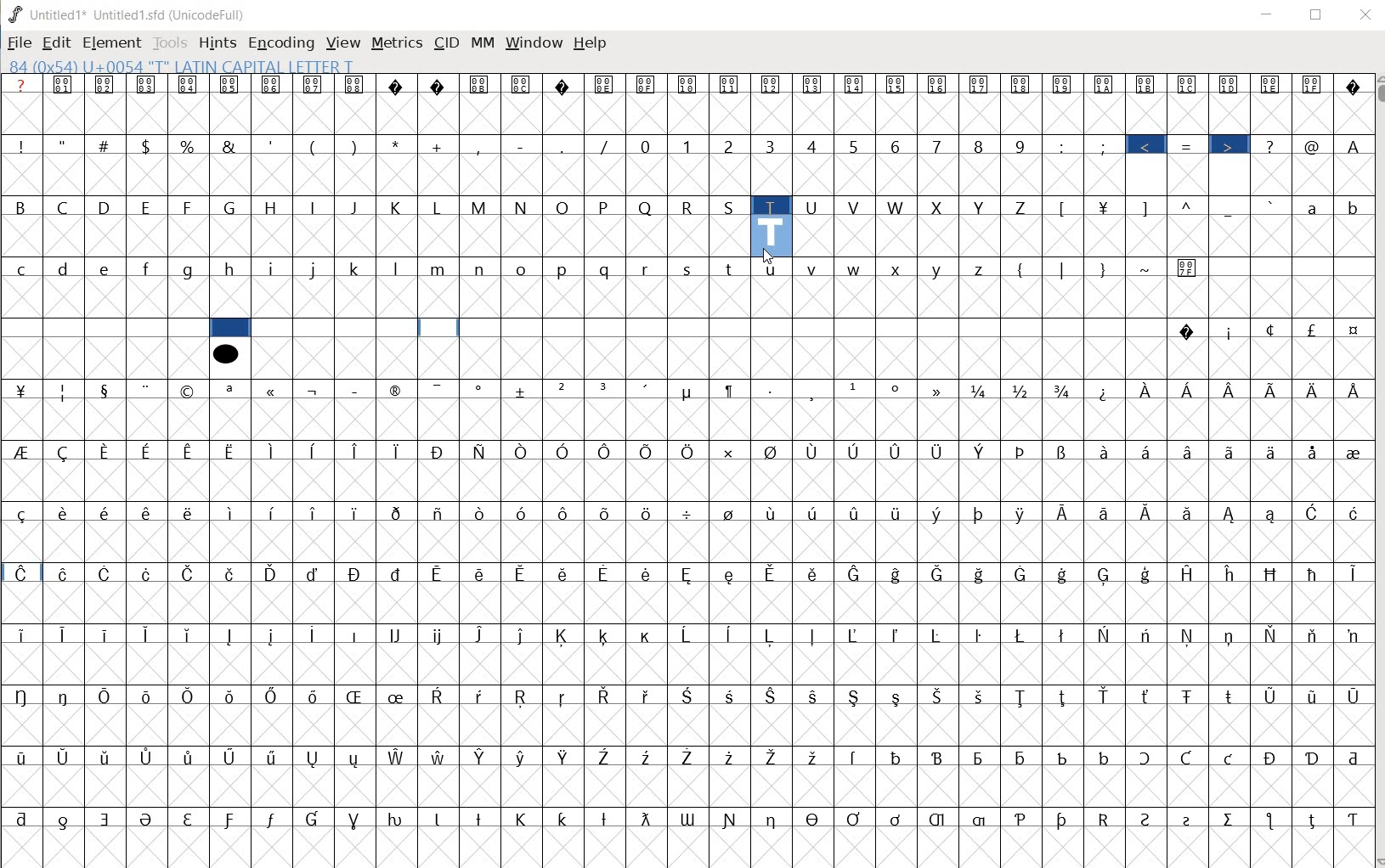 The width and height of the screenshot is (1385, 868). What do you see at coordinates (274, 512) in the screenshot?
I see `Symbol` at bounding box center [274, 512].